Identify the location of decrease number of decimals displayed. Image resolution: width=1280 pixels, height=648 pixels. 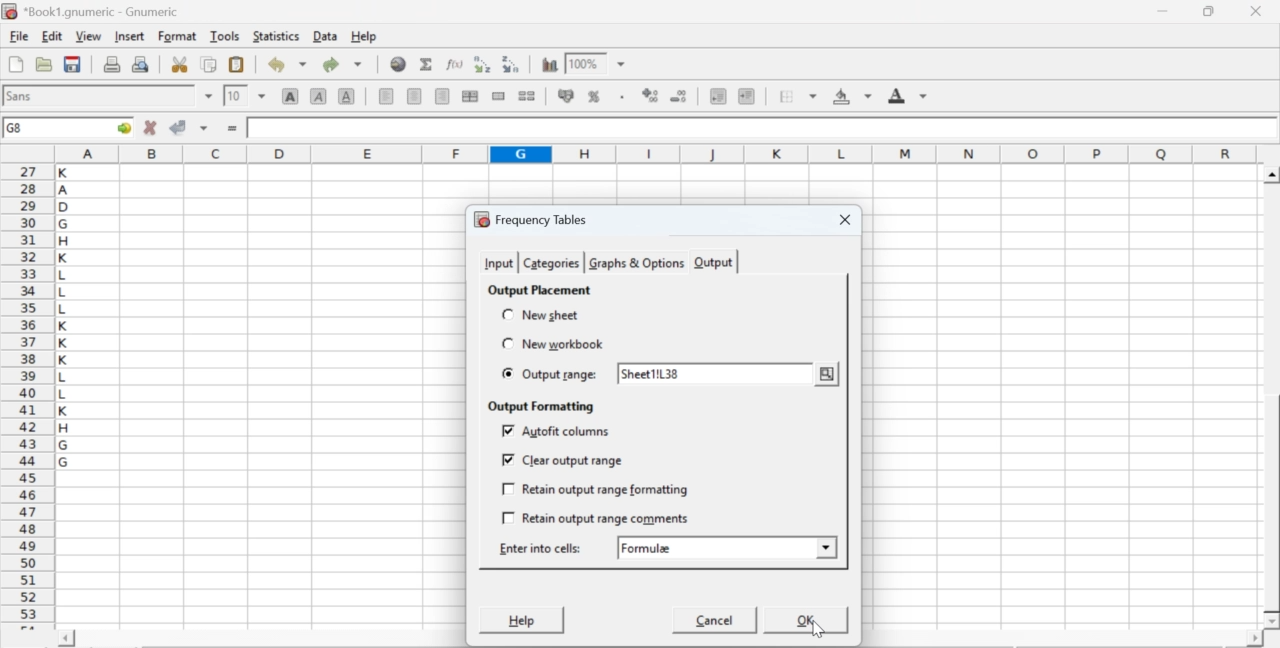
(650, 96).